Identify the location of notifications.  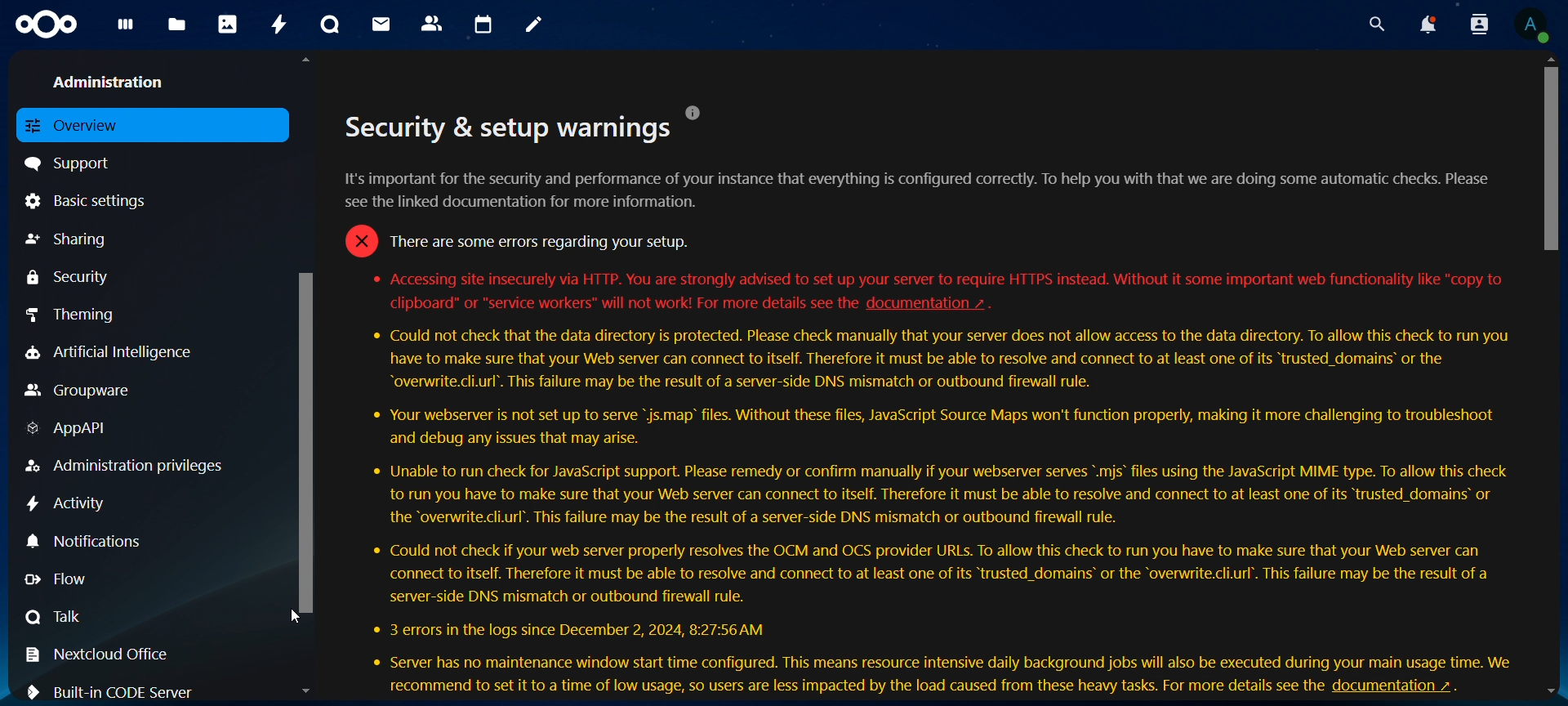
(1427, 25).